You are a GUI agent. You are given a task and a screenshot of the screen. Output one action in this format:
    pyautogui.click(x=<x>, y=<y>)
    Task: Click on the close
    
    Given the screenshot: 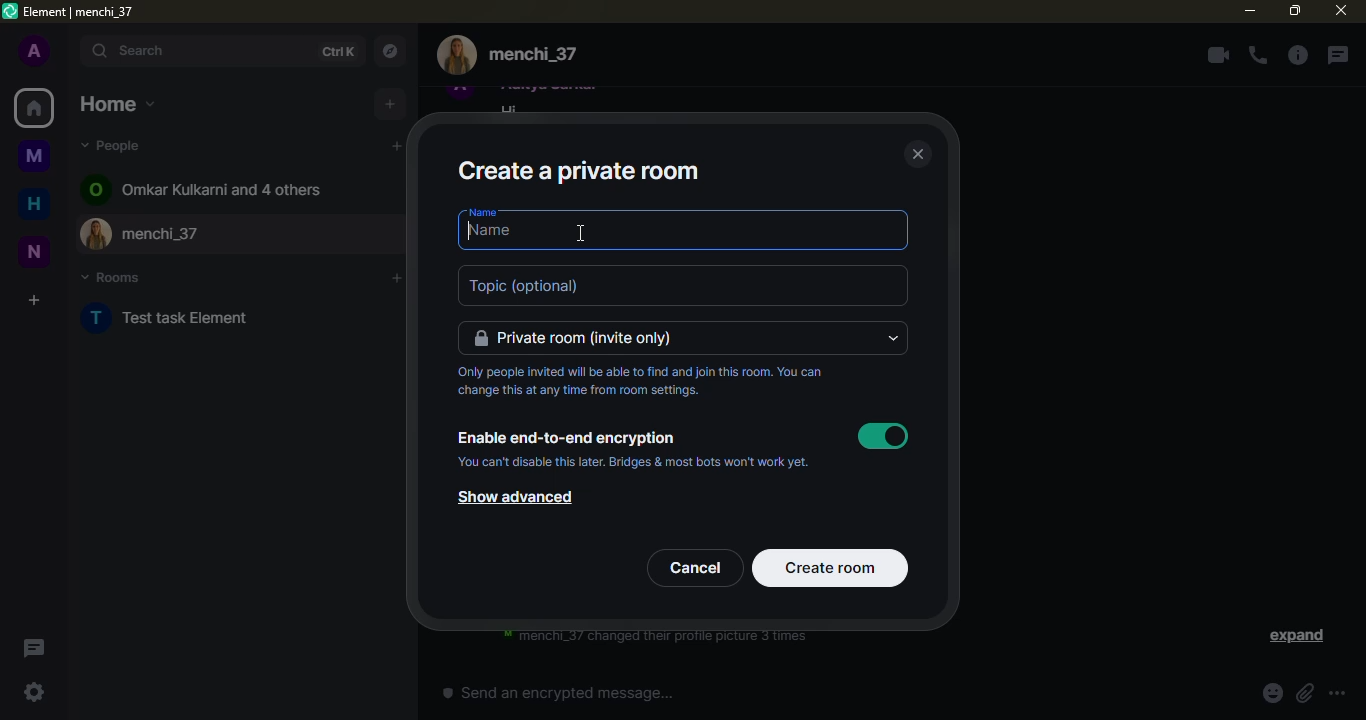 What is the action you would take?
    pyautogui.click(x=918, y=153)
    